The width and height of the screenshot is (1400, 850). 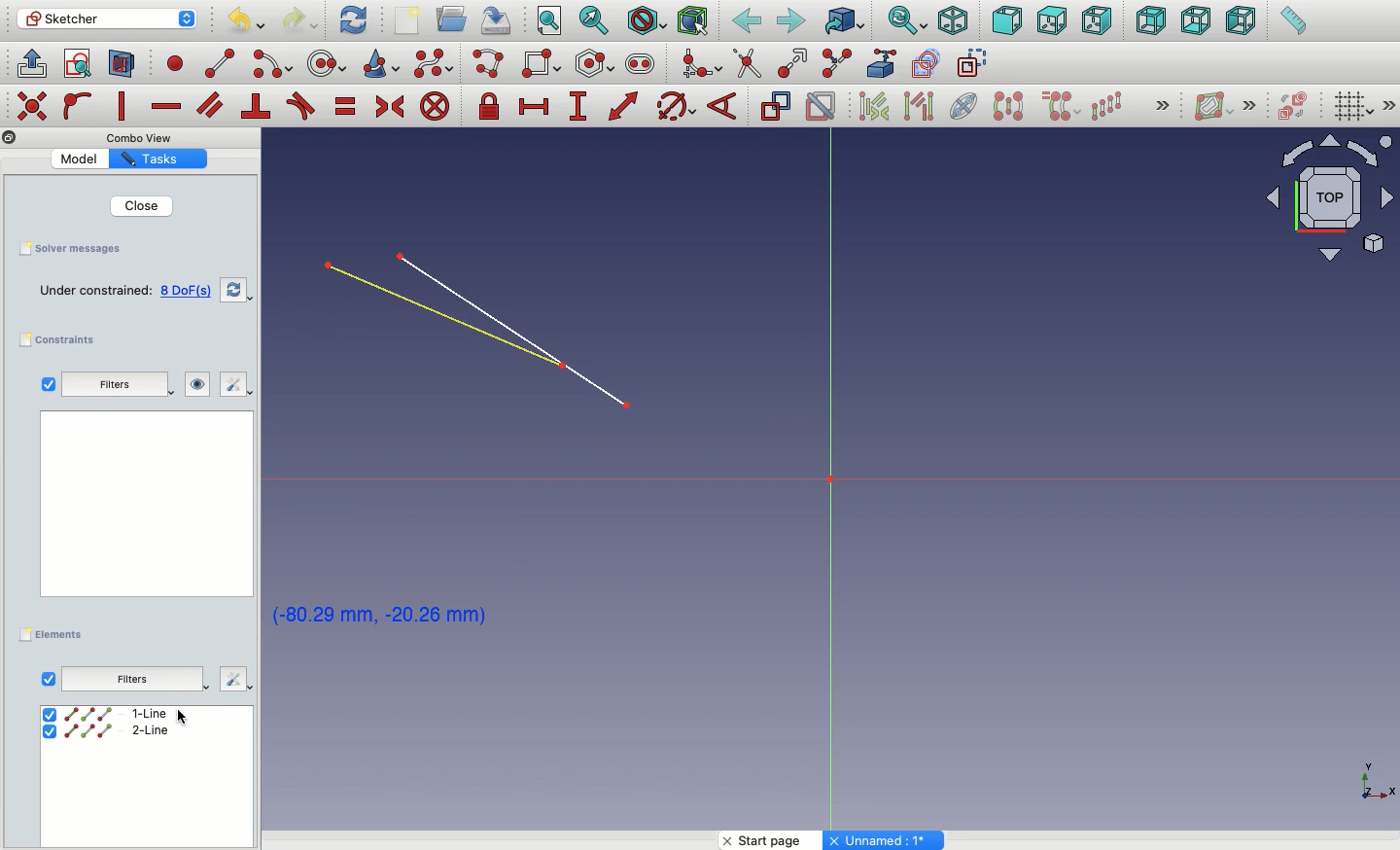 I want to click on Back, so click(x=746, y=22).